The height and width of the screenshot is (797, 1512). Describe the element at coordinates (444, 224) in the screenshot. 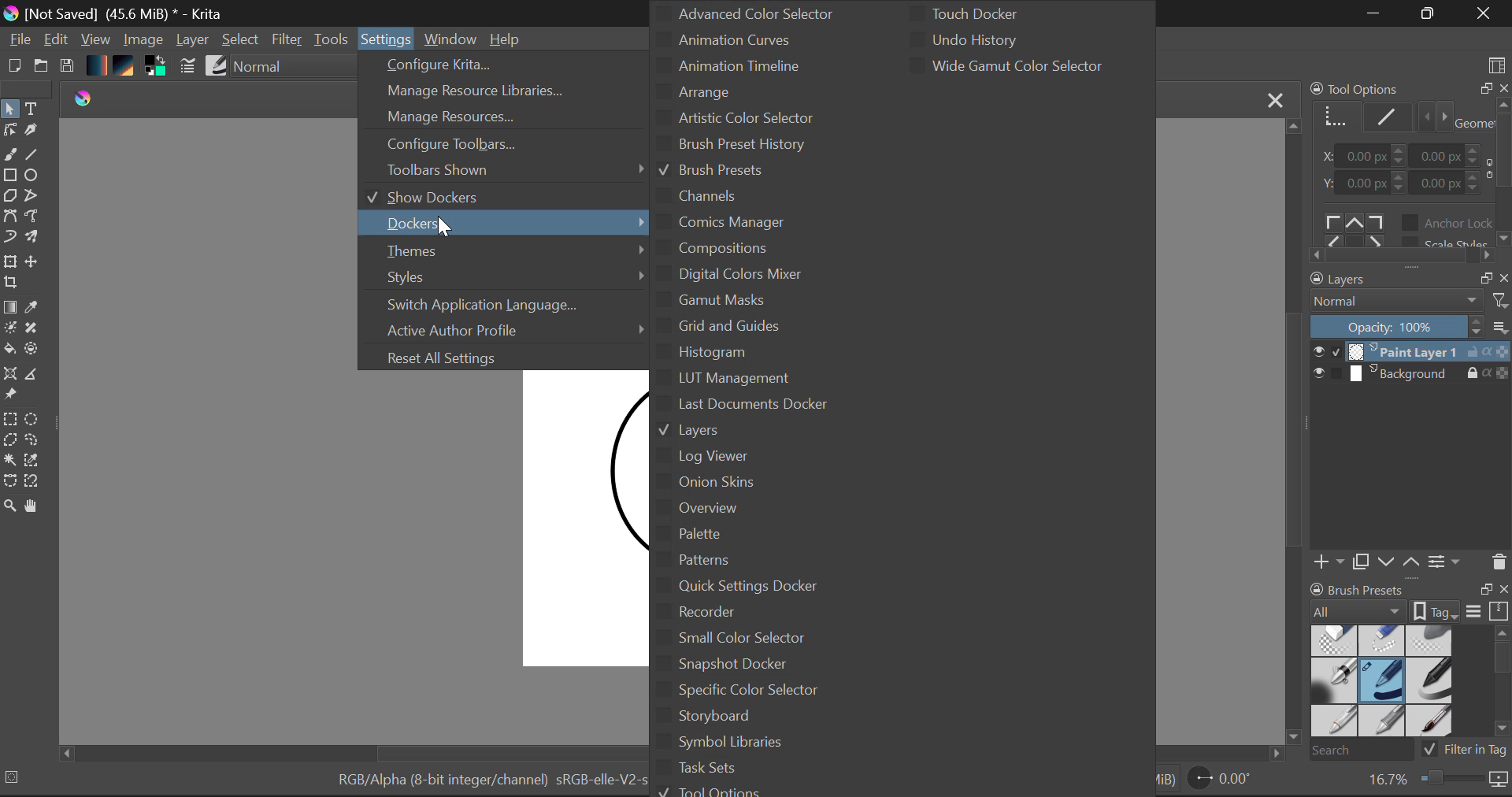

I see `Cursor Position` at that location.